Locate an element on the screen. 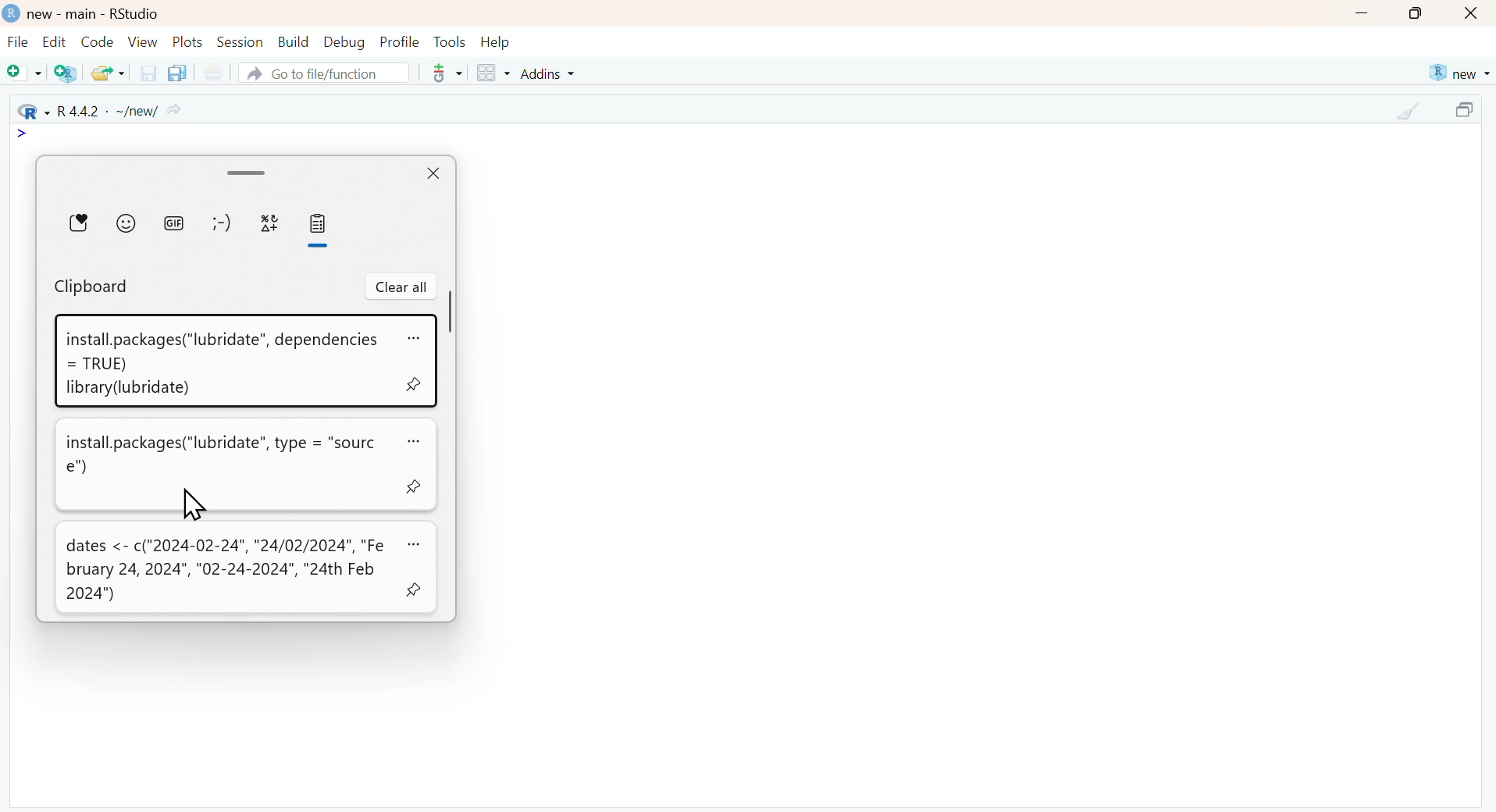 This screenshot has height=812, width=1496. scroll bar is located at coordinates (452, 312).